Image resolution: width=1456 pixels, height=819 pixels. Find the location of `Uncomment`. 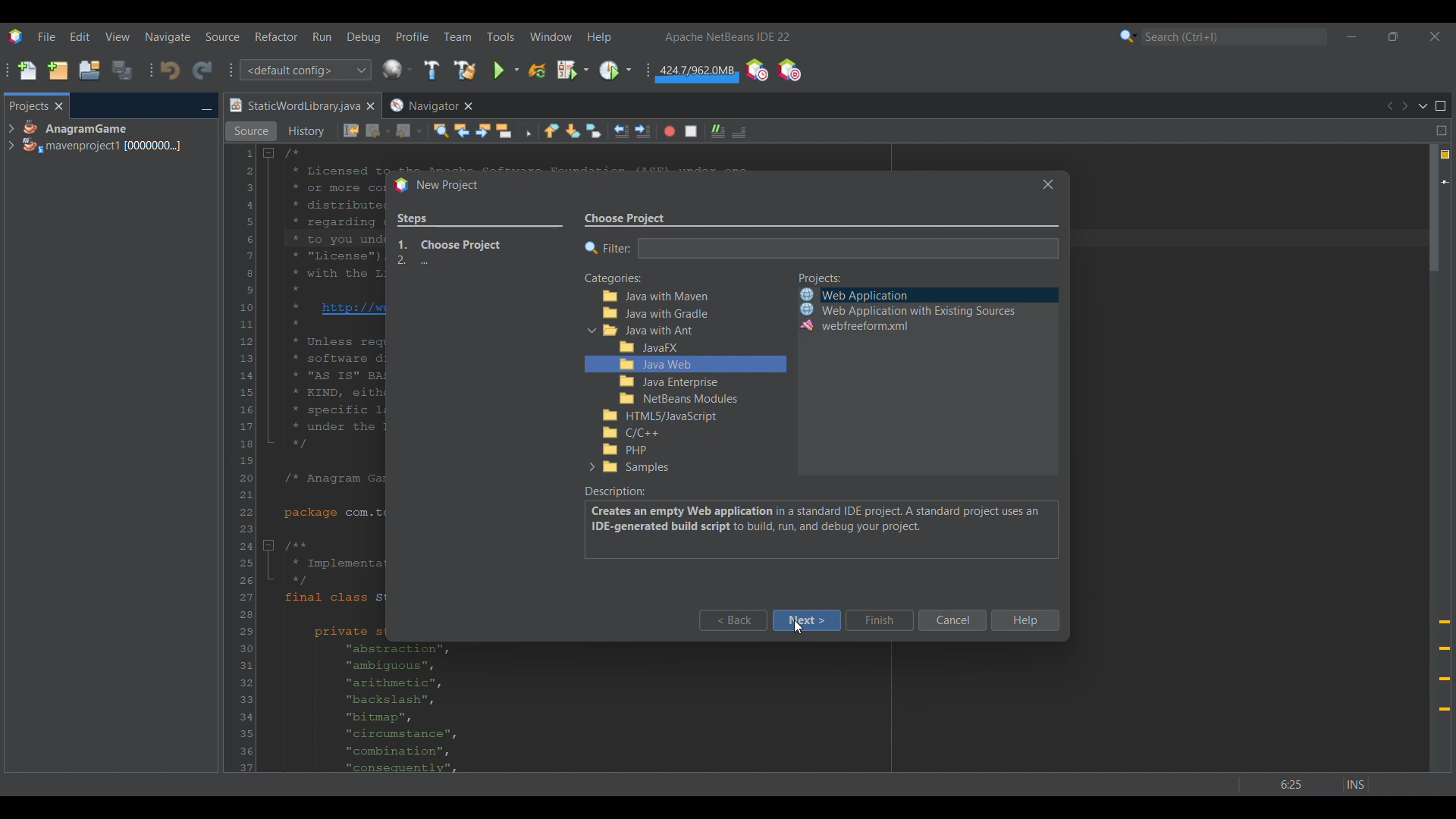

Uncomment is located at coordinates (718, 131).